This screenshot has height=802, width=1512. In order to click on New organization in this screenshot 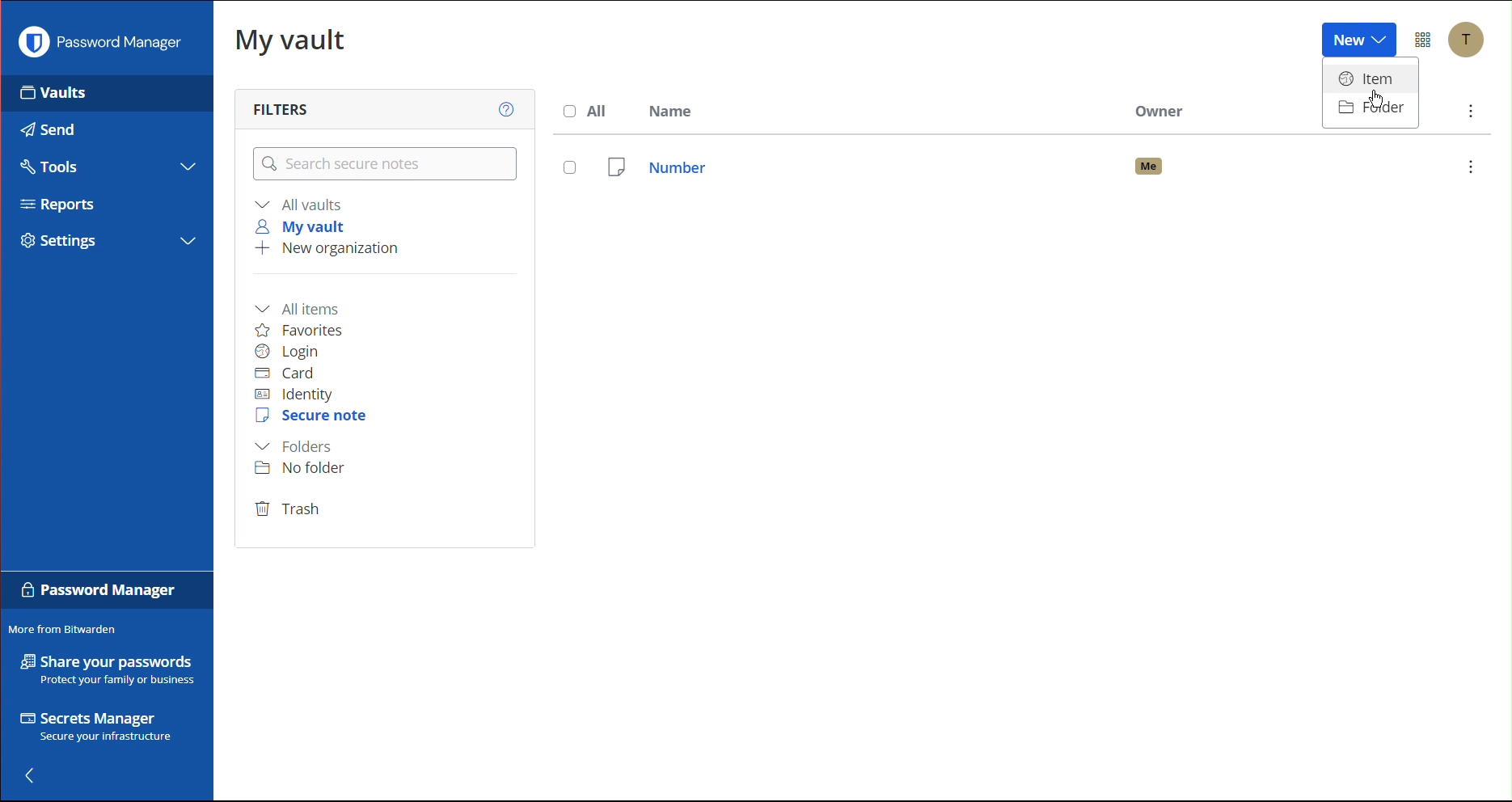, I will do `click(326, 250)`.